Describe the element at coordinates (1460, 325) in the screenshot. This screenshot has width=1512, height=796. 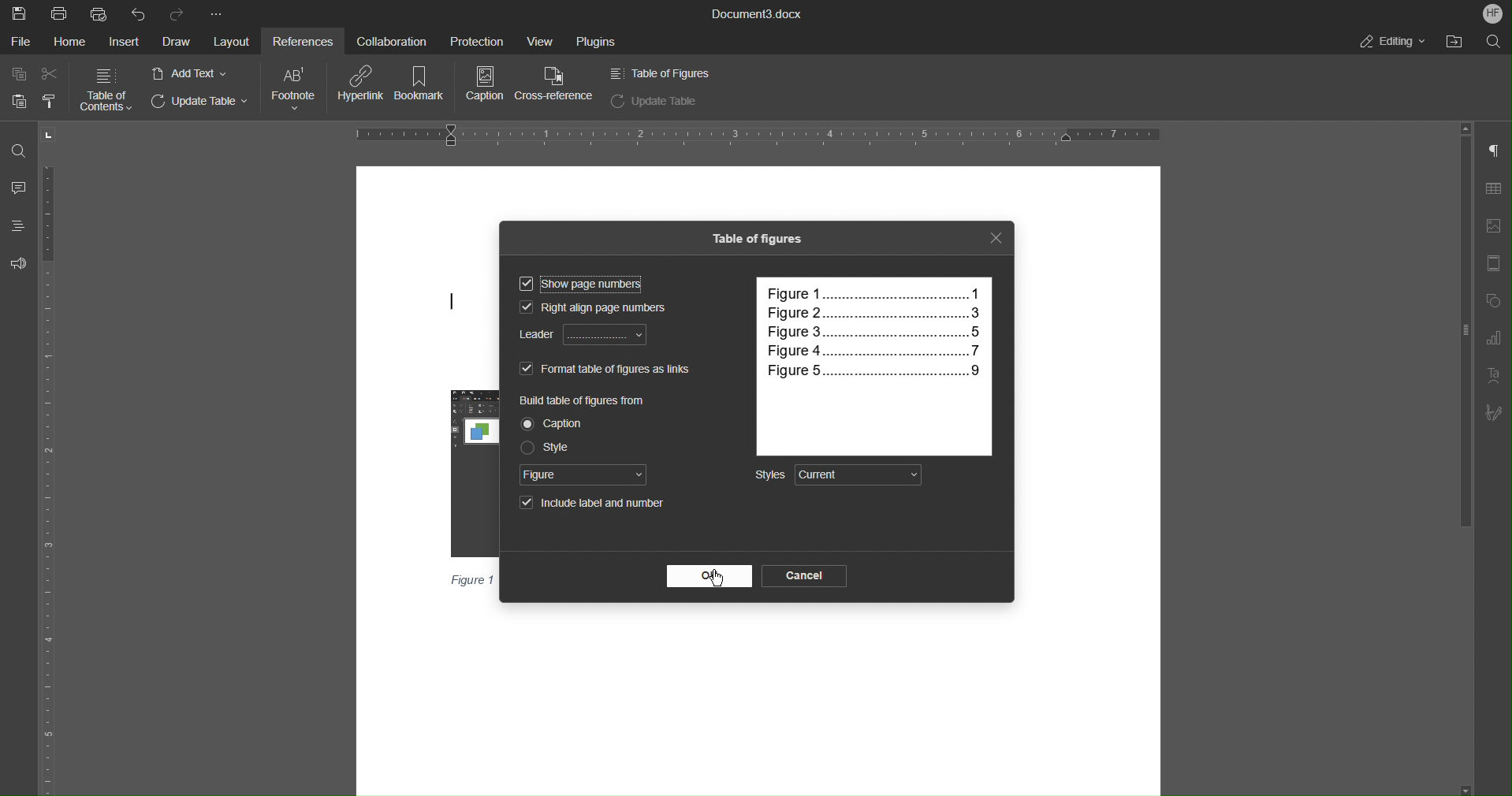
I see `Vertical Bar` at that location.